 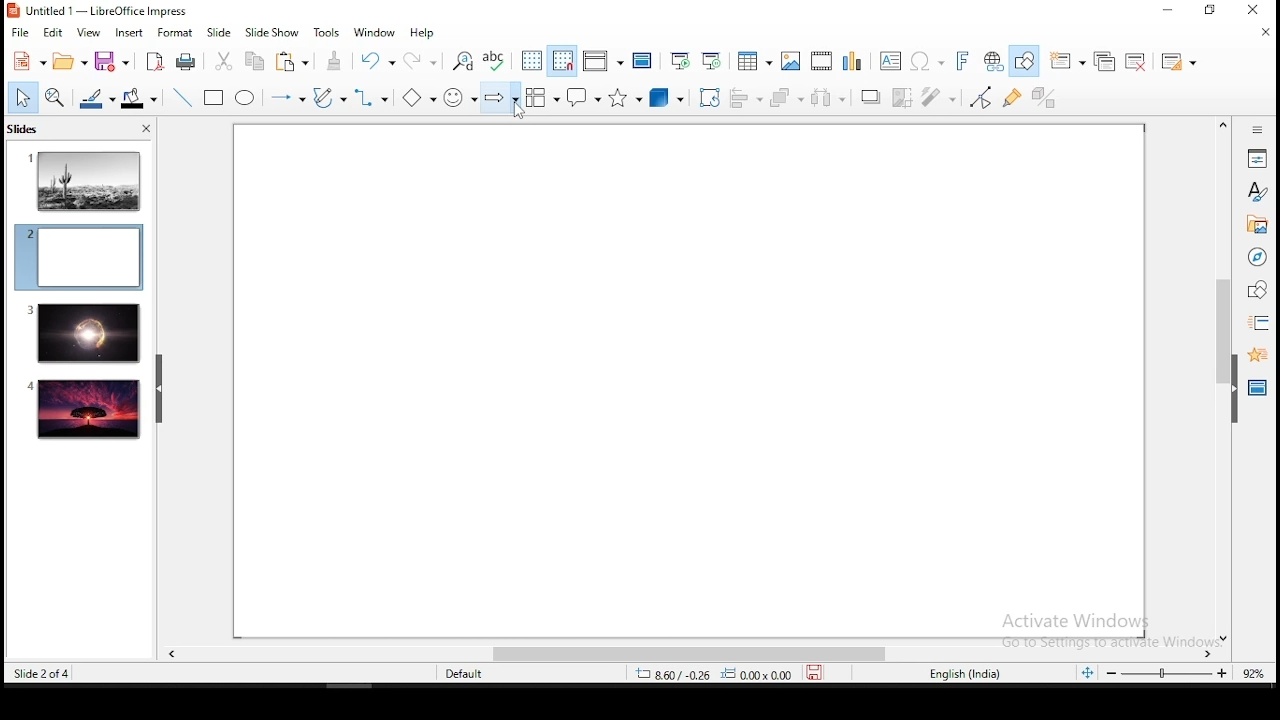 What do you see at coordinates (528, 60) in the screenshot?
I see `display grid` at bounding box center [528, 60].